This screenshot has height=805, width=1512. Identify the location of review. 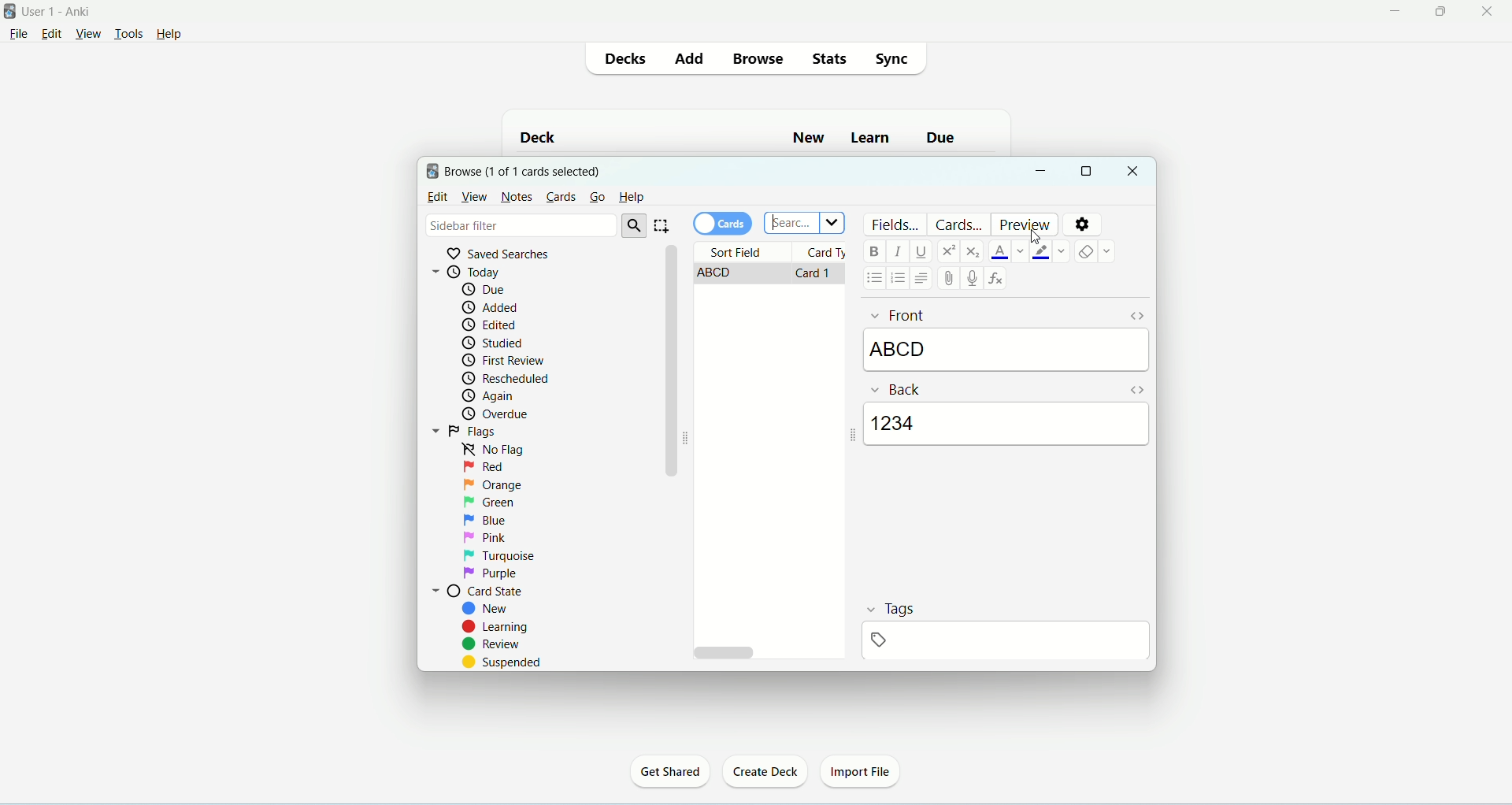
(492, 645).